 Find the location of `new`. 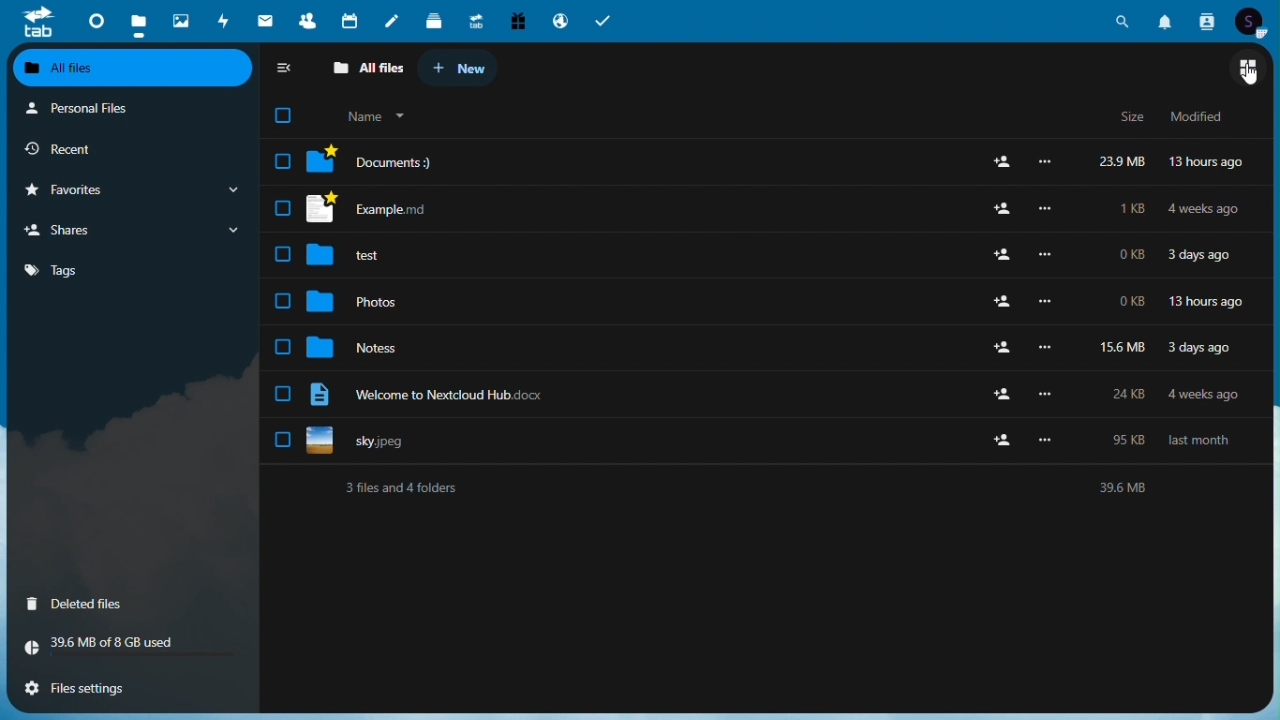

new is located at coordinates (457, 67).